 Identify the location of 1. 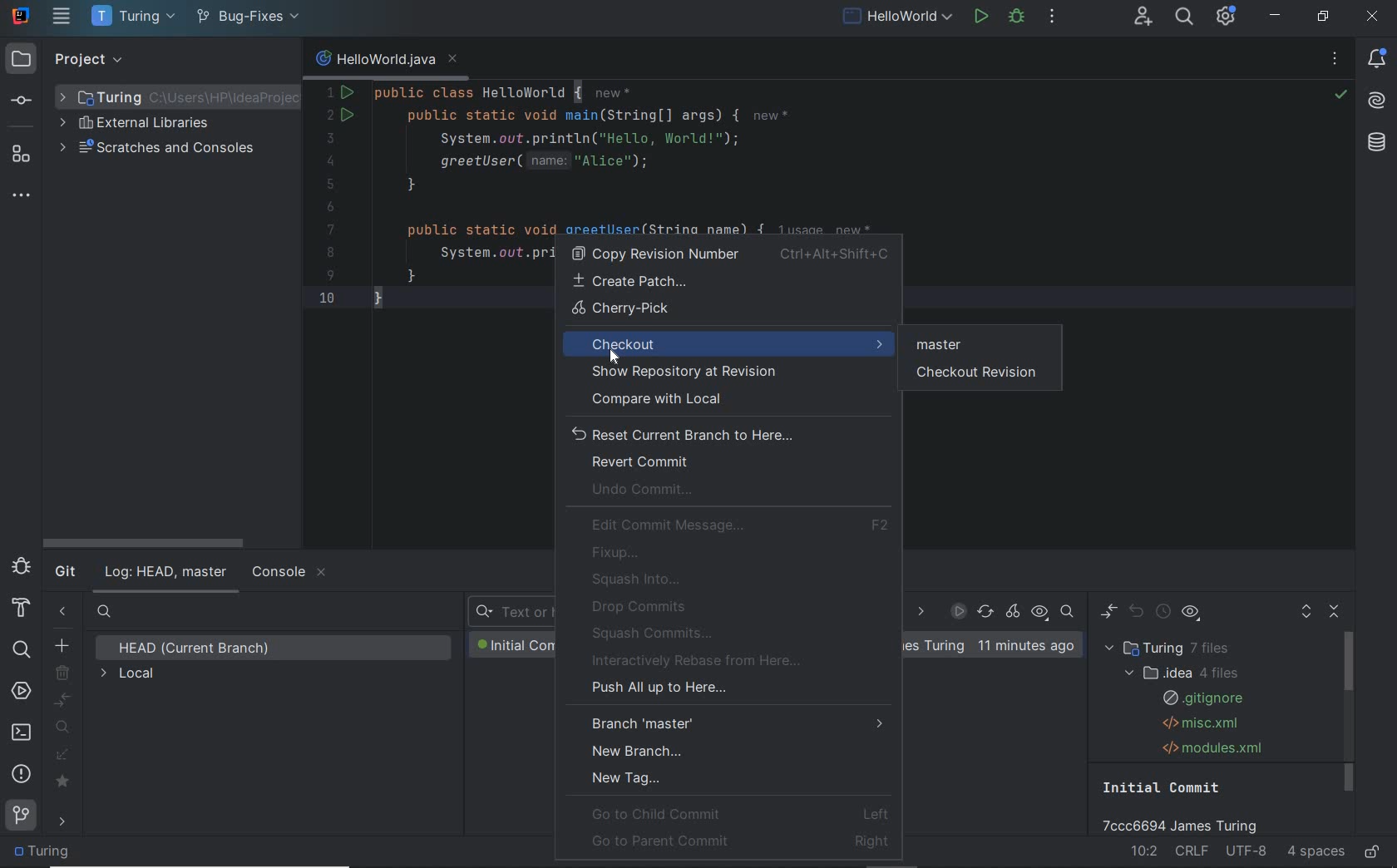
(330, 93).